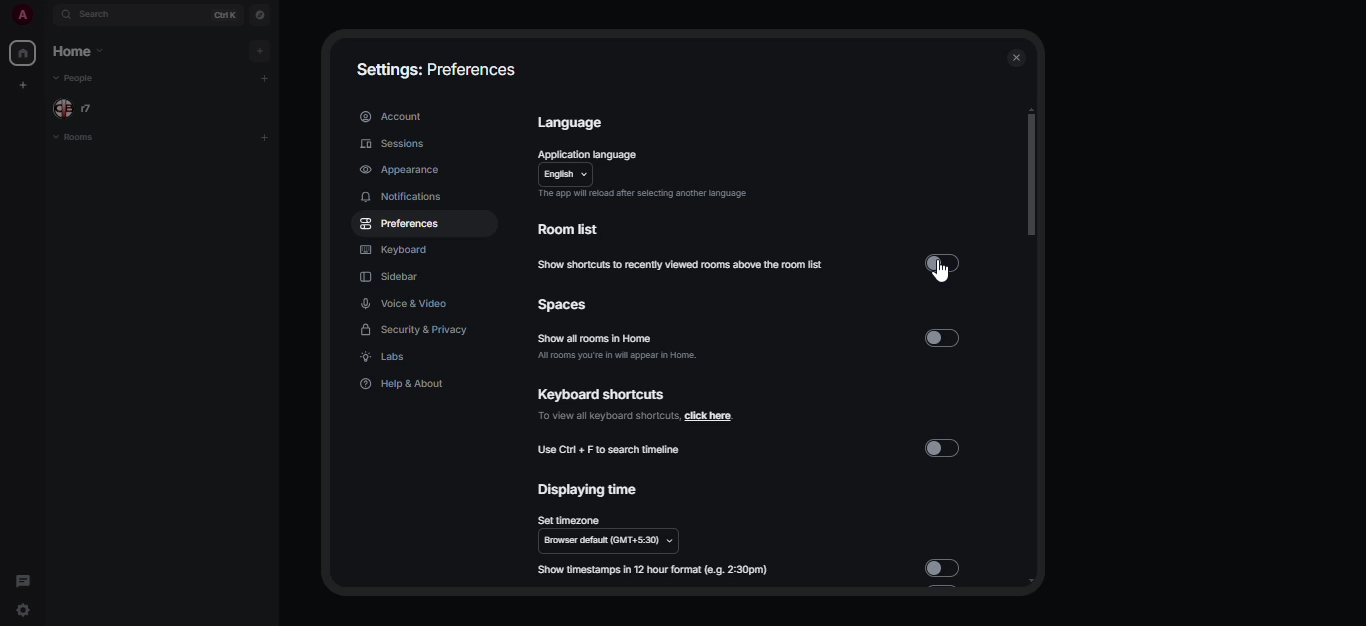 The image size is (1366, 626). What do you see at coordinates (410, 329) in the screenshot?
I see `security & privacy` at bounding box center [410, 329].